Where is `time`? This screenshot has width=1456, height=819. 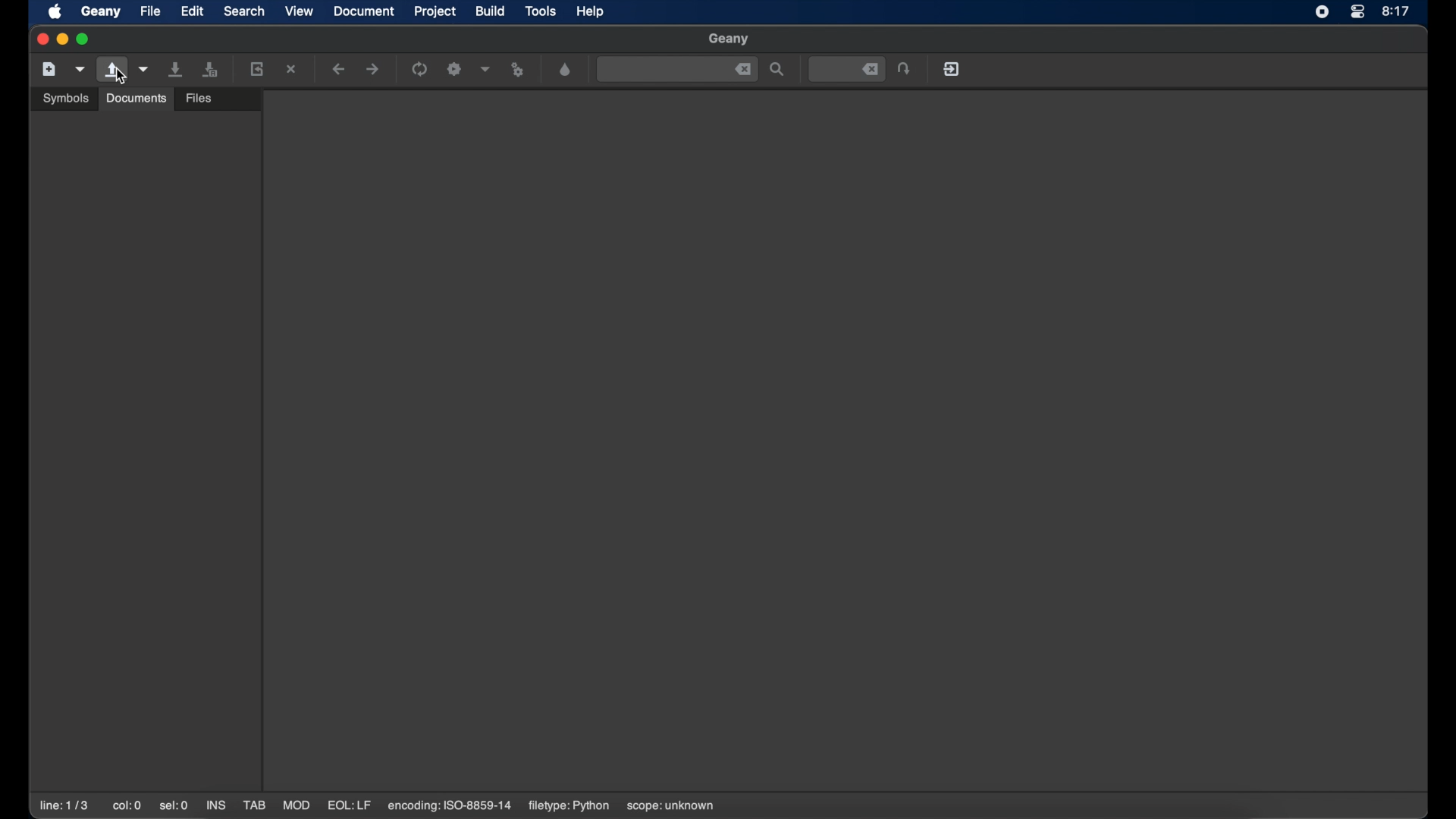 time is located at coordinates (1397, 11).